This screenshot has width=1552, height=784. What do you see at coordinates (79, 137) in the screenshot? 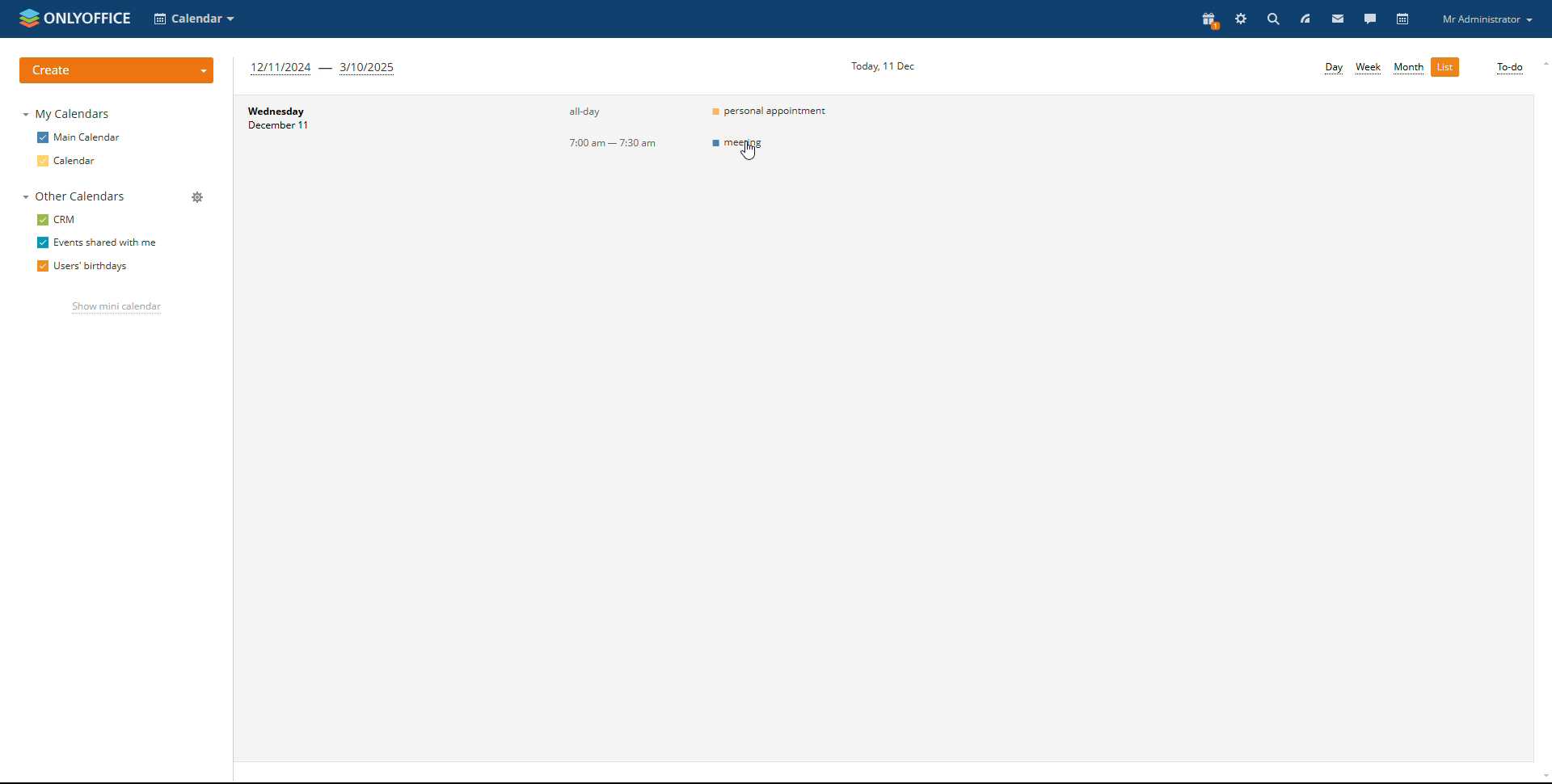
I see `main calendar` at bounding box center [79, 137].